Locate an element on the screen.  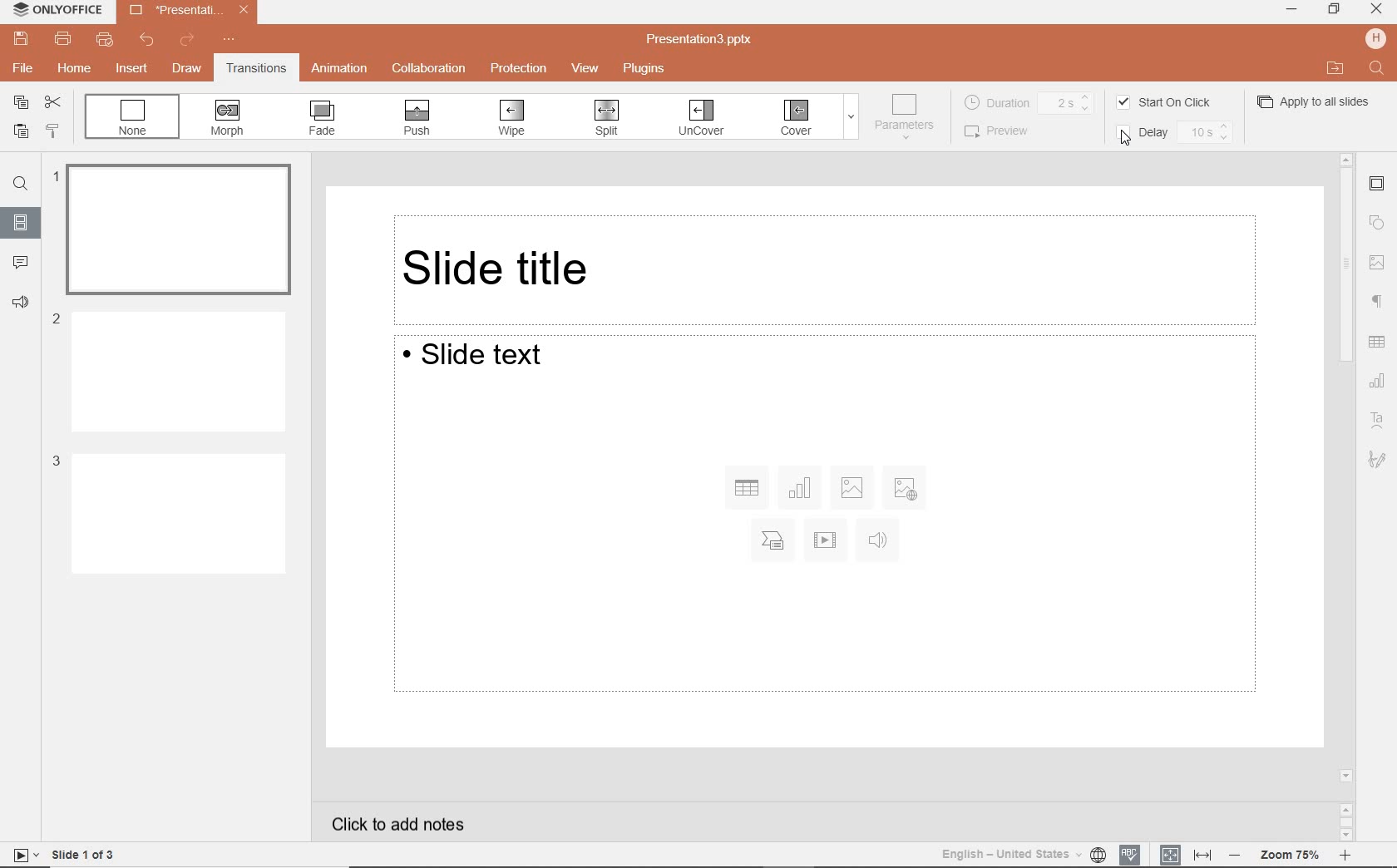
WIPE is located at coordinates (513, 118).